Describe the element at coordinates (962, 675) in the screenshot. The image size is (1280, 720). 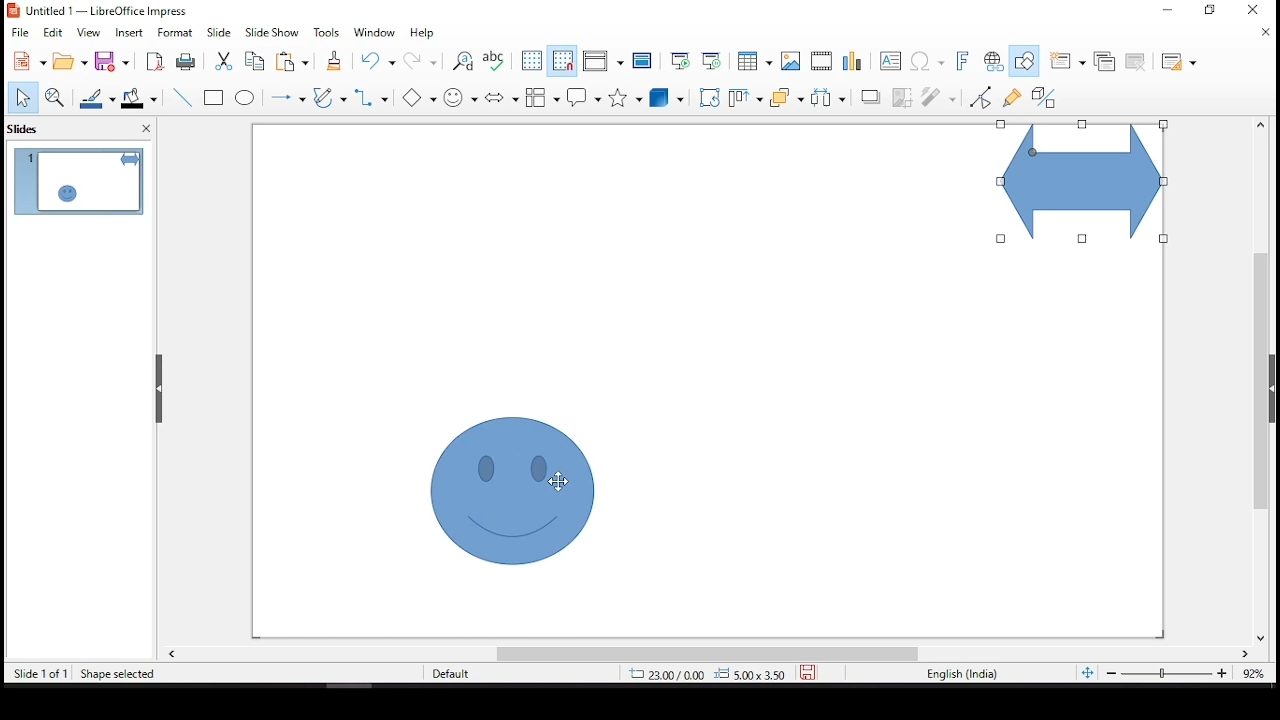
I see `english (india)` at that location.